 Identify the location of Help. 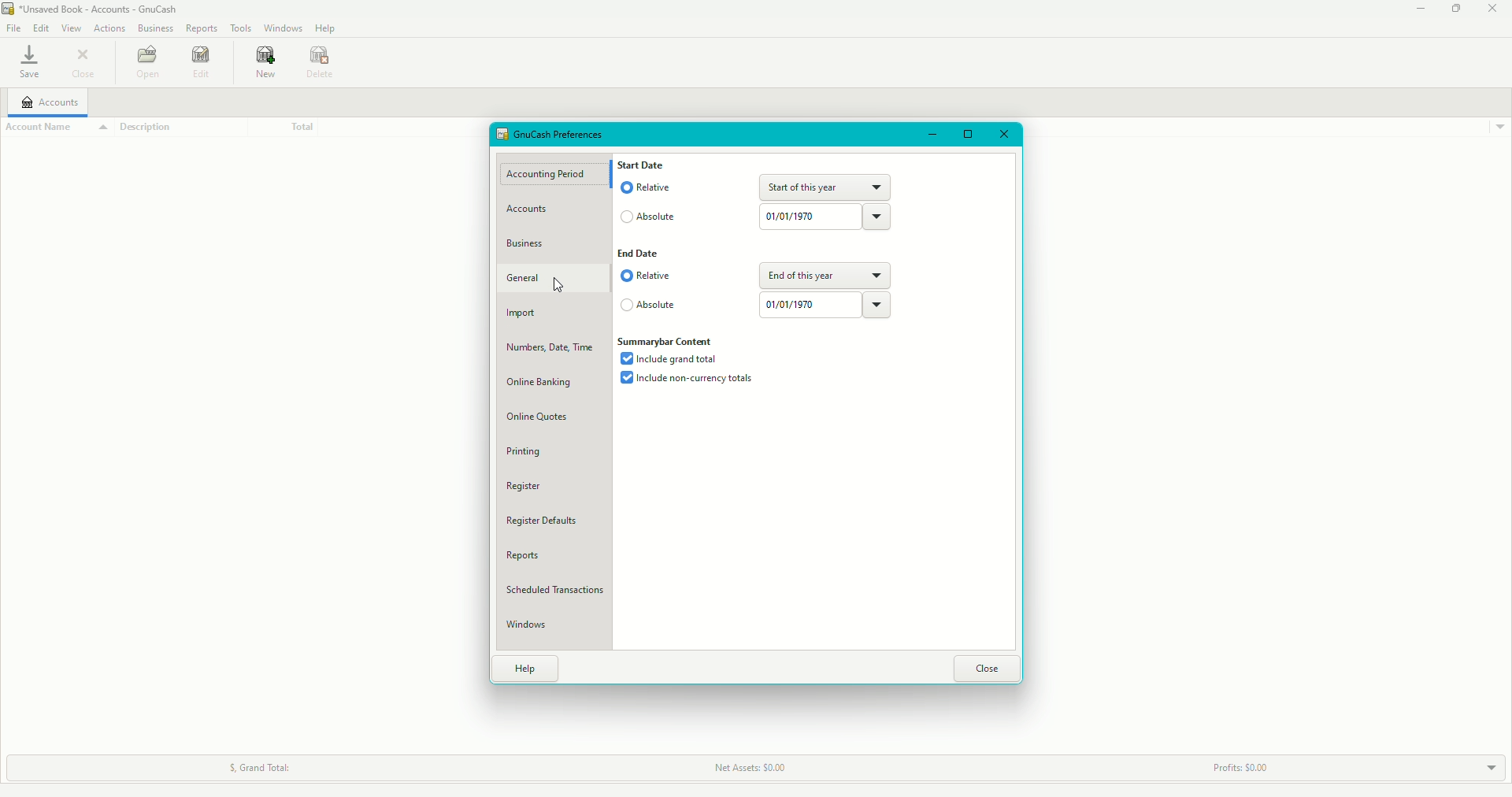
(328, 28).